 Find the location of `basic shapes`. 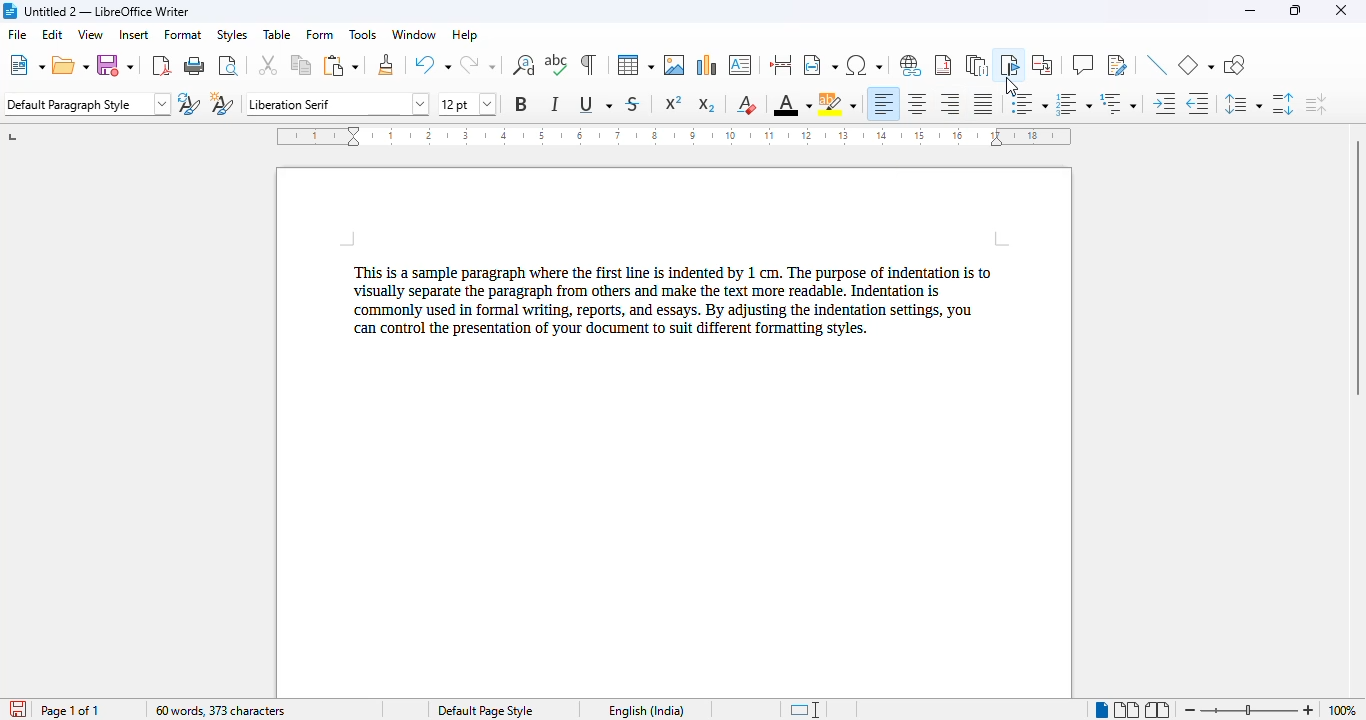

basic shapes is located at coordinates (1196, 64).